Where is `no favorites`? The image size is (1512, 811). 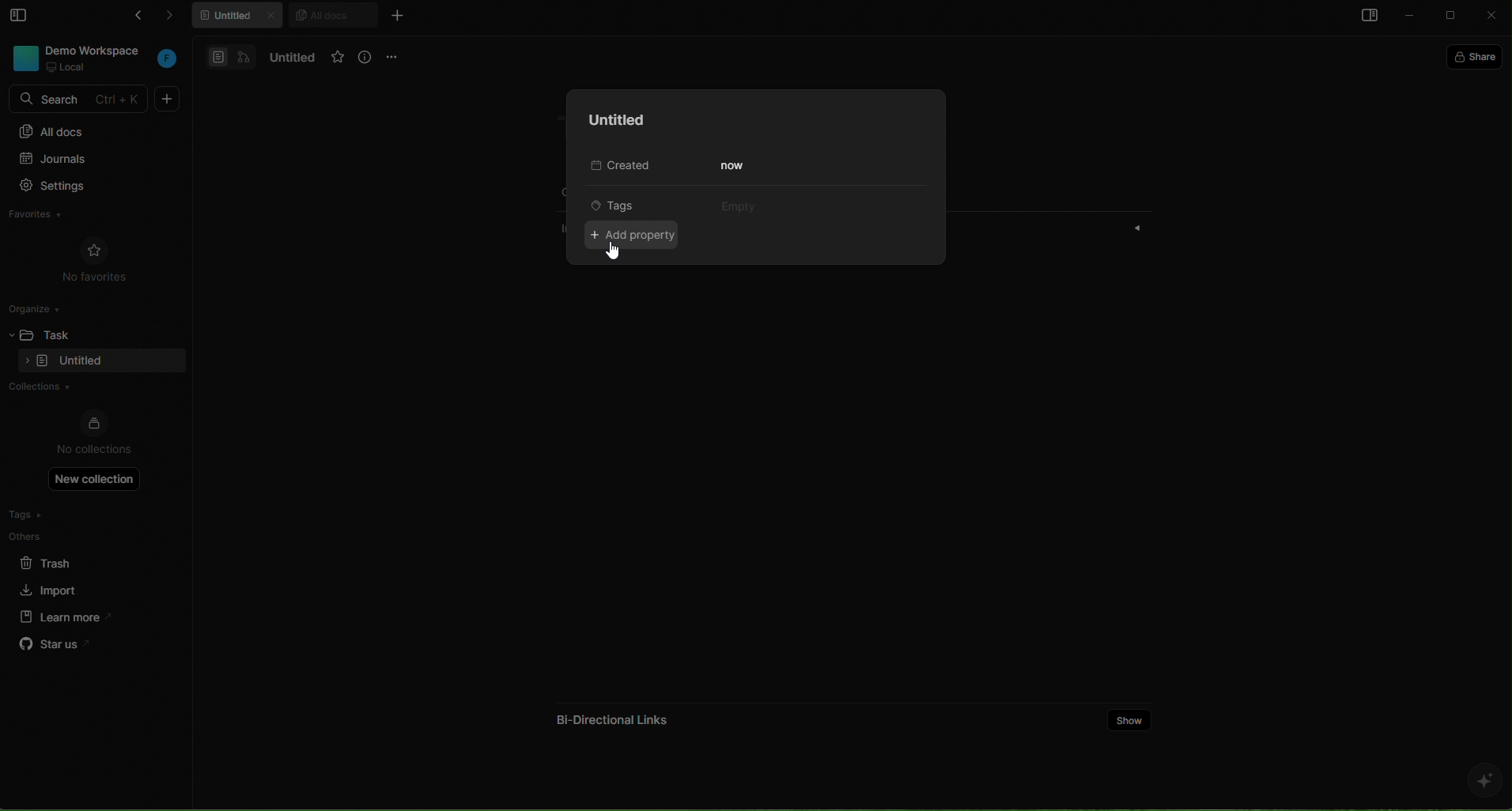 no favorites is located at coordinates (95, 258).